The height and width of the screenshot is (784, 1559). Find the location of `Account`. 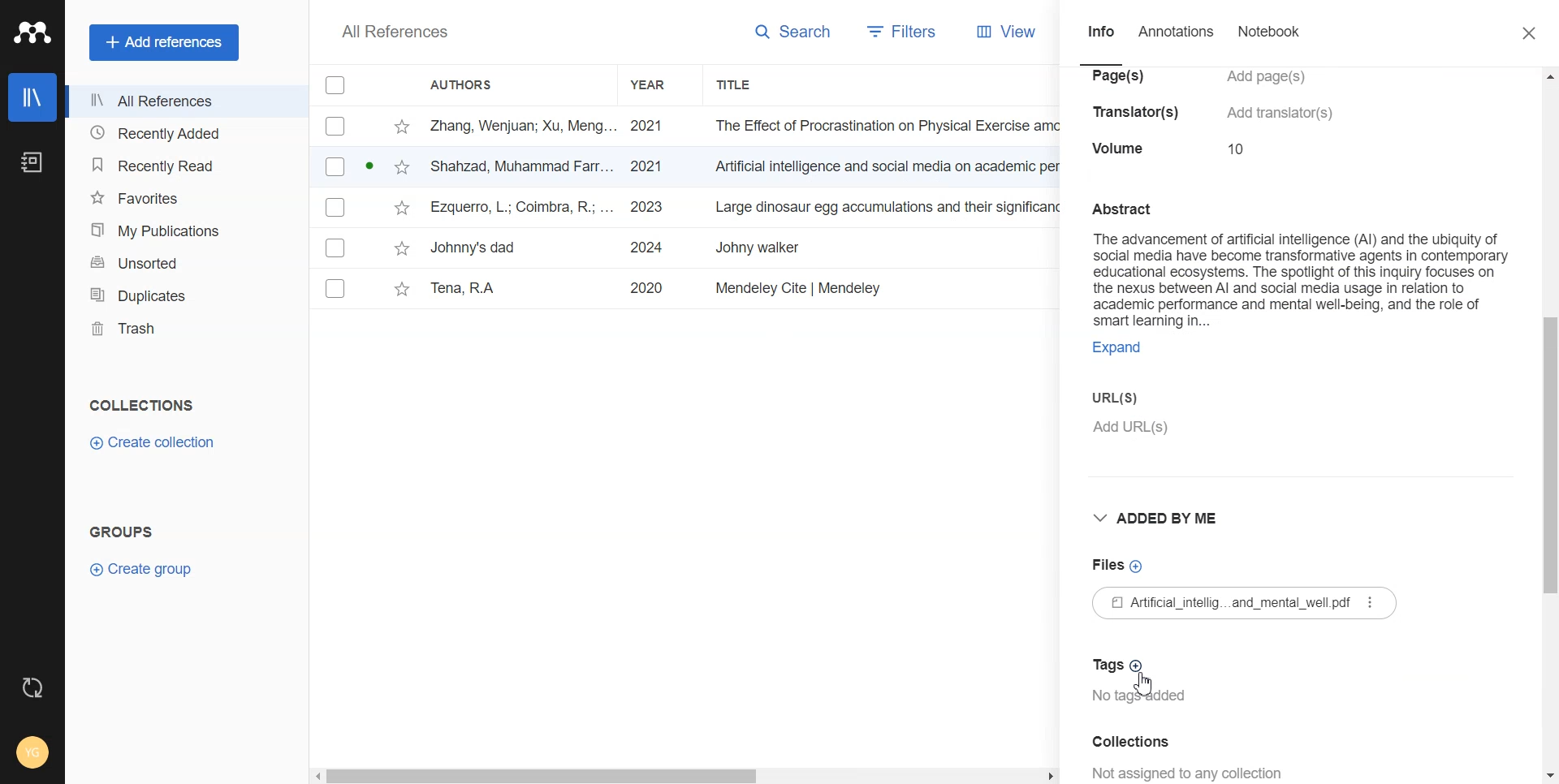

Account is located at coordinates (32, 754).